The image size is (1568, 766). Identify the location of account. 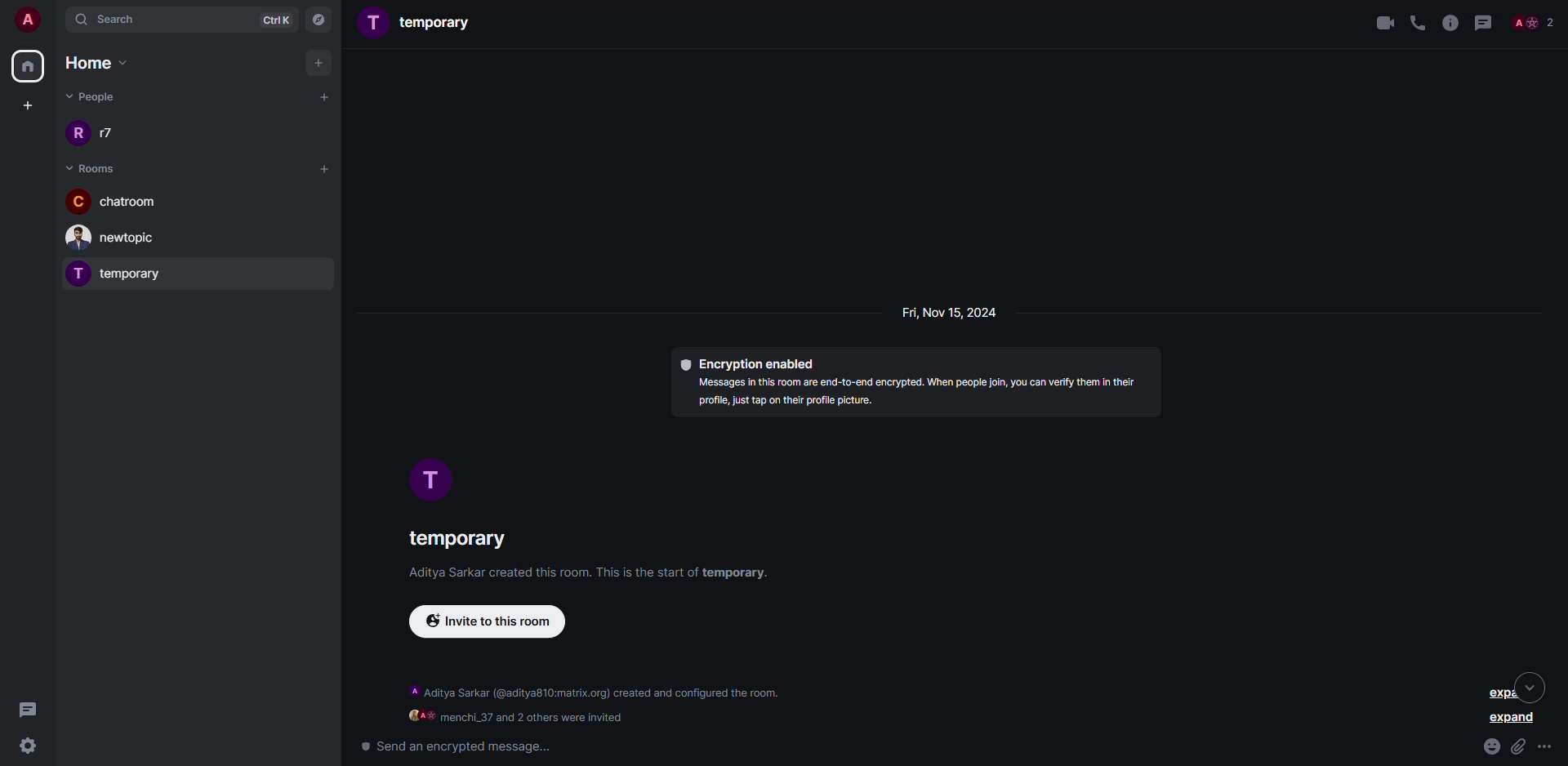
(26, 19).